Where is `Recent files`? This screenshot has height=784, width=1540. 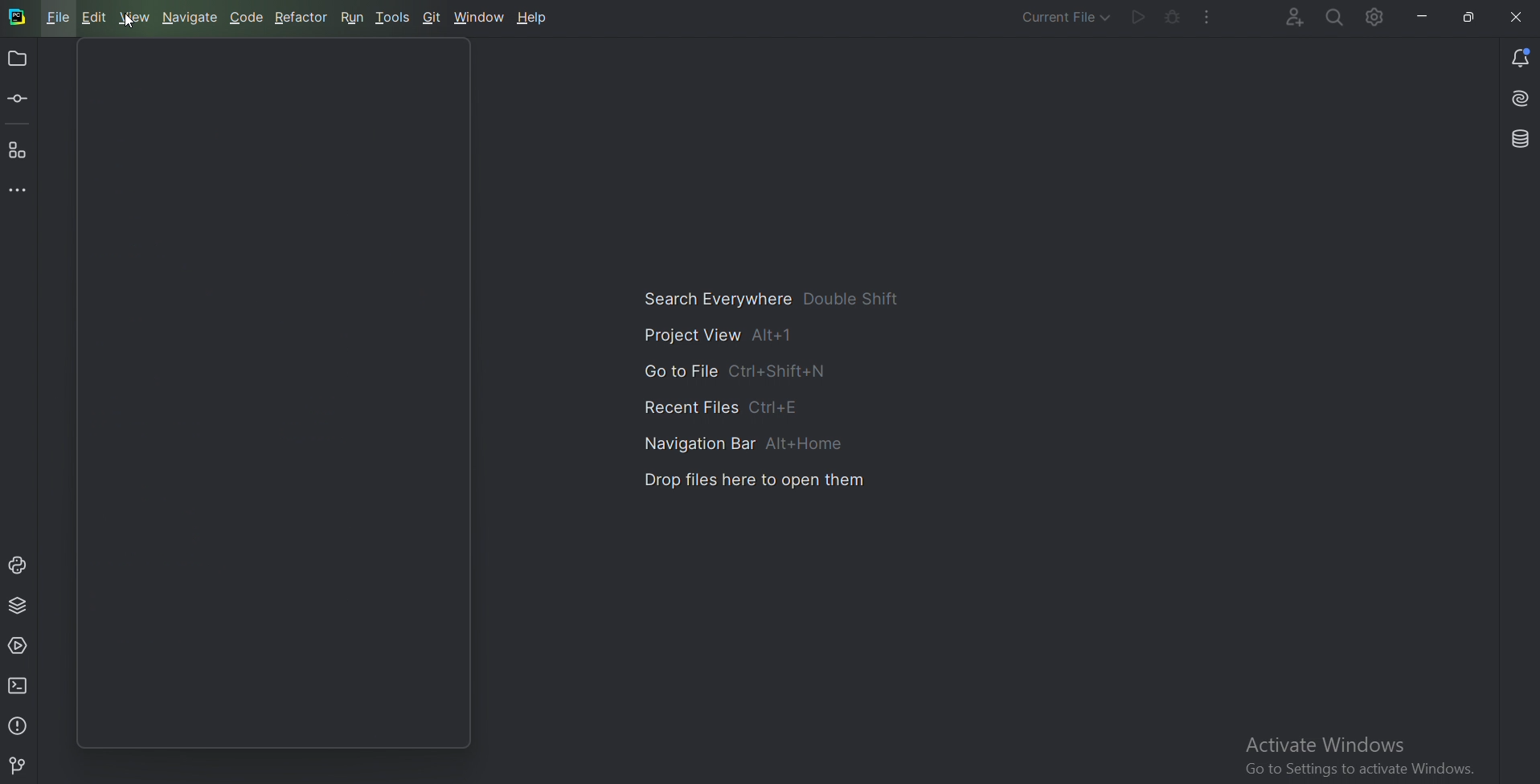 Recent files is located at coordinates (733, 406).